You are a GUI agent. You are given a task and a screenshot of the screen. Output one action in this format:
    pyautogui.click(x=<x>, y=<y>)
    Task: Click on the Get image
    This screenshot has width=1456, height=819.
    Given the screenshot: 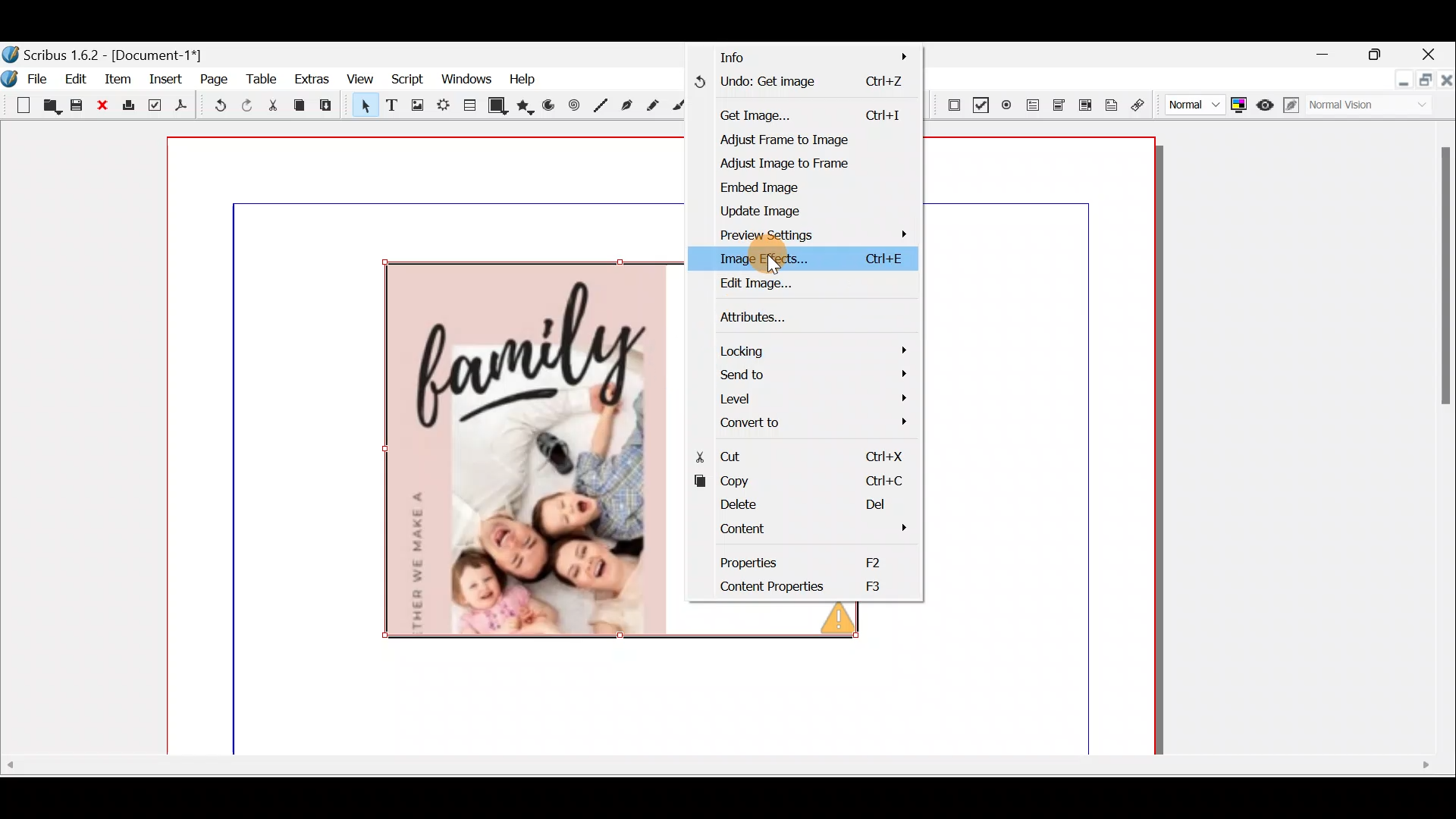 What is the action you would take?
    pyautogui.click(x=807, y=111)
    